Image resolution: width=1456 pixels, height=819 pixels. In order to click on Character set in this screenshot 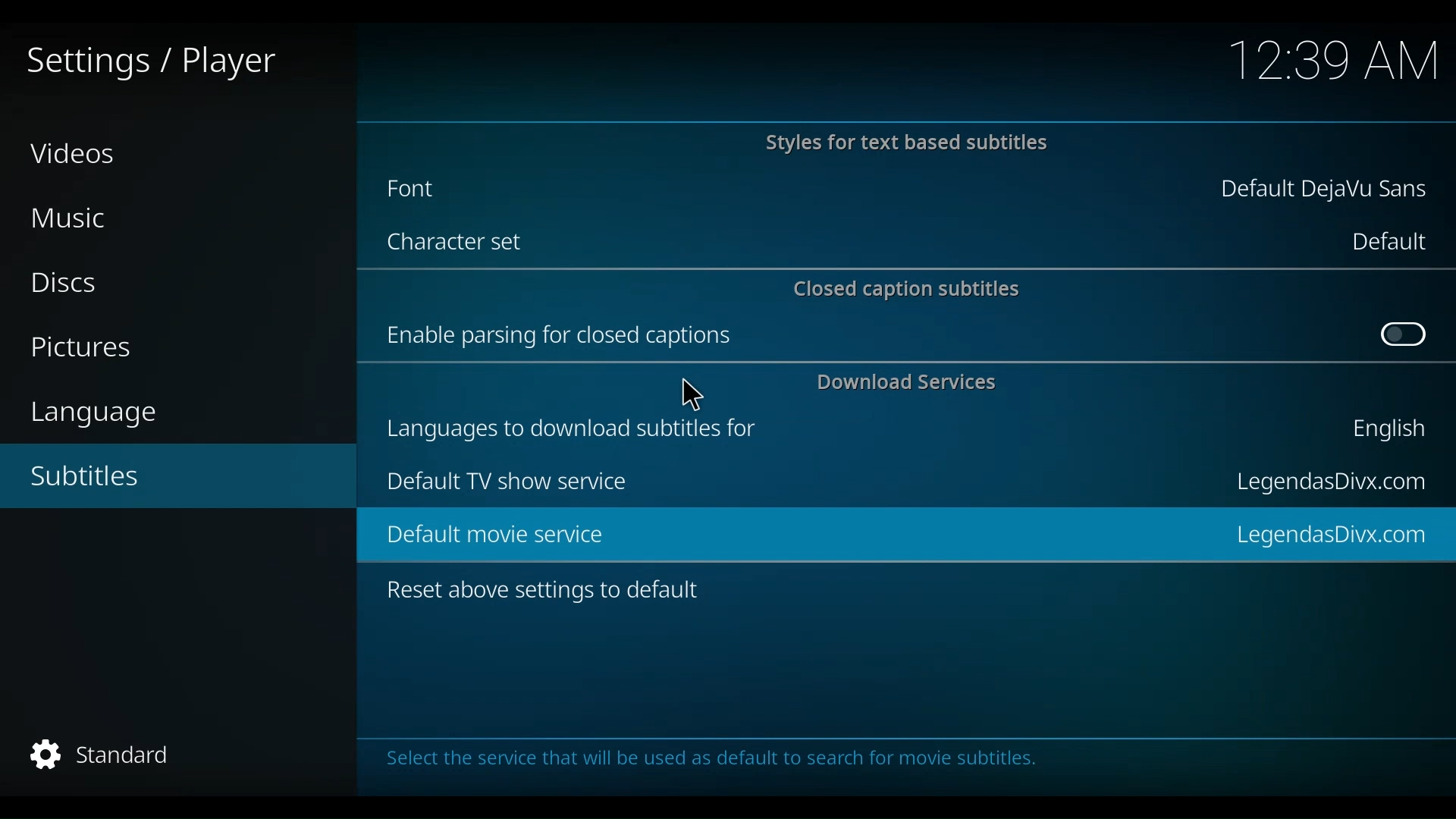, I will do `click(460, 244)`.